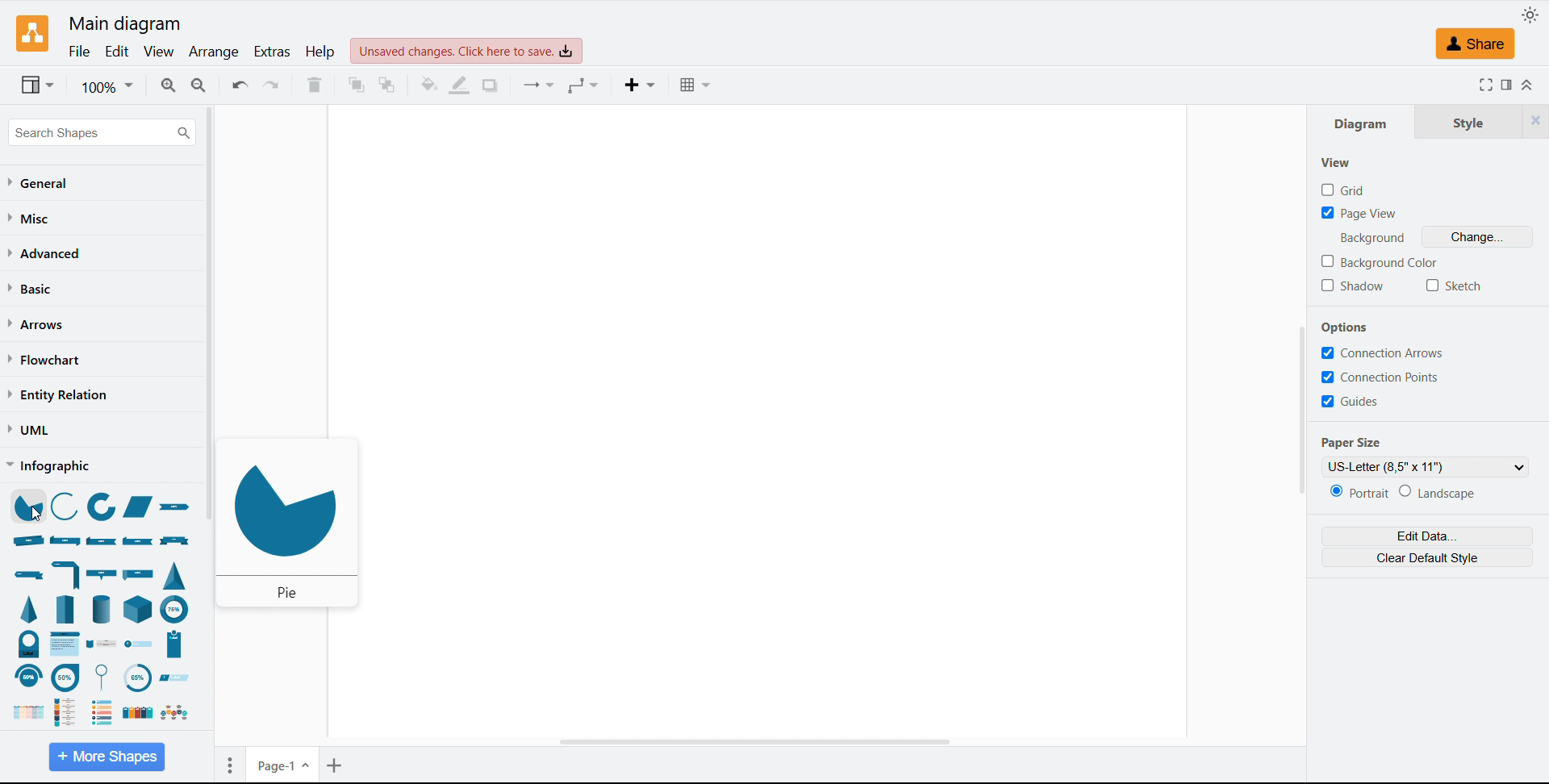  Describe the element at coordinates (1380, 377) in the screenshot. I see `connection points ` at that location.